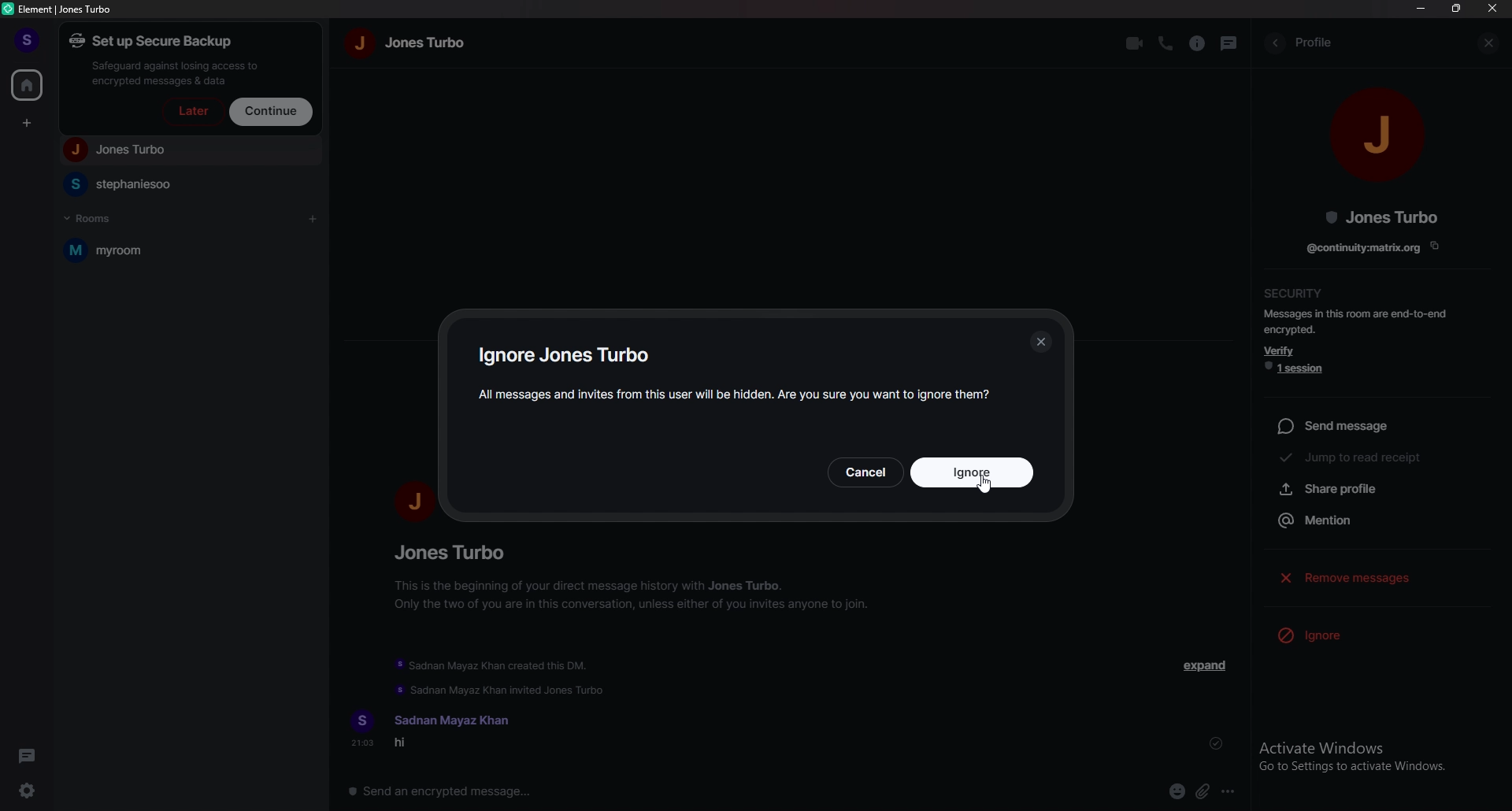 Image resolution: width=1512 pixels, height=811 pixels. Describe the element at coordinates (169, 59) in the screenshot. I see `set up a secure backup` at that location.